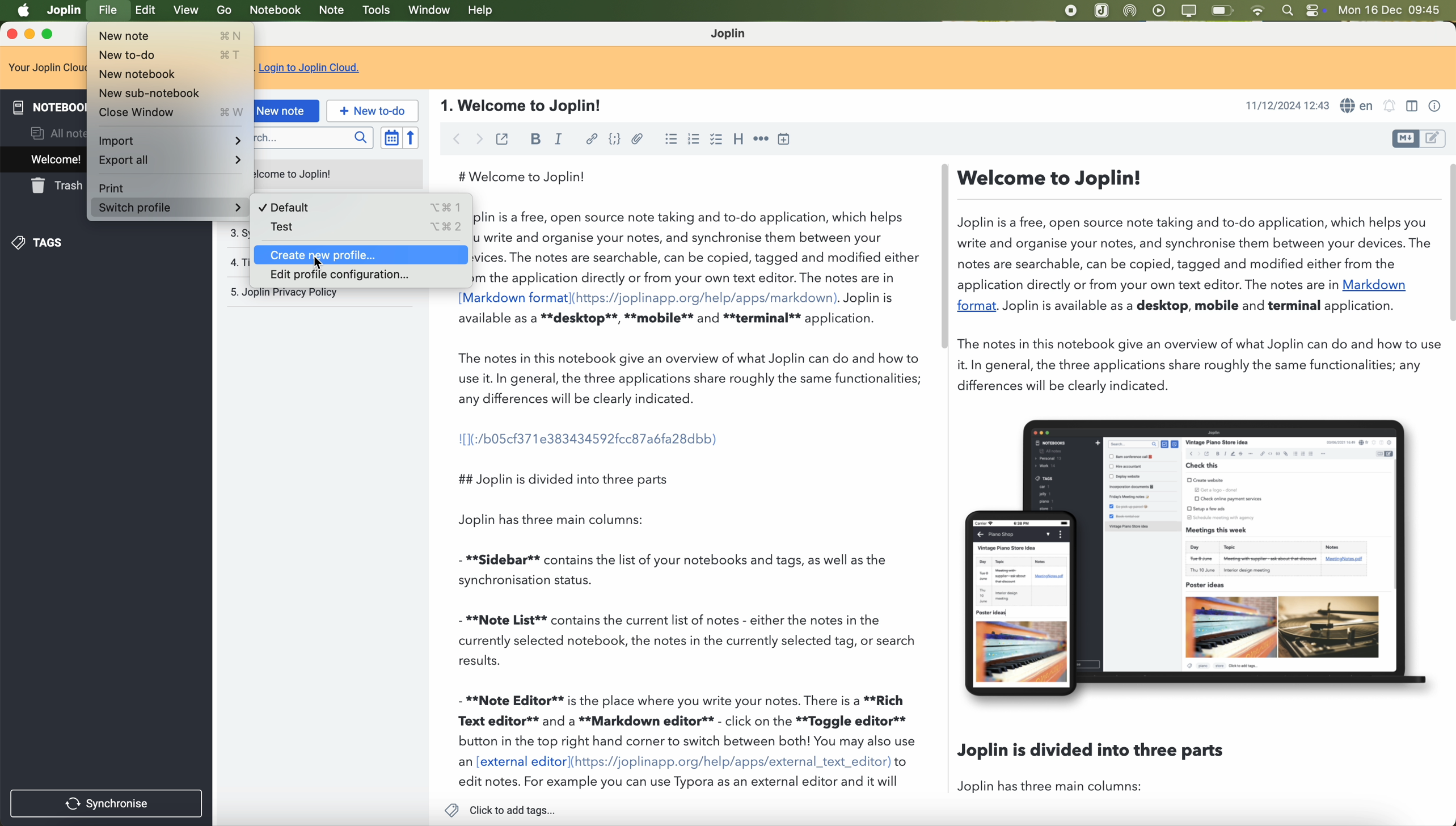 The width and height of the screenshot is (1456, 826). I want to click on bold, so click(535, 139).